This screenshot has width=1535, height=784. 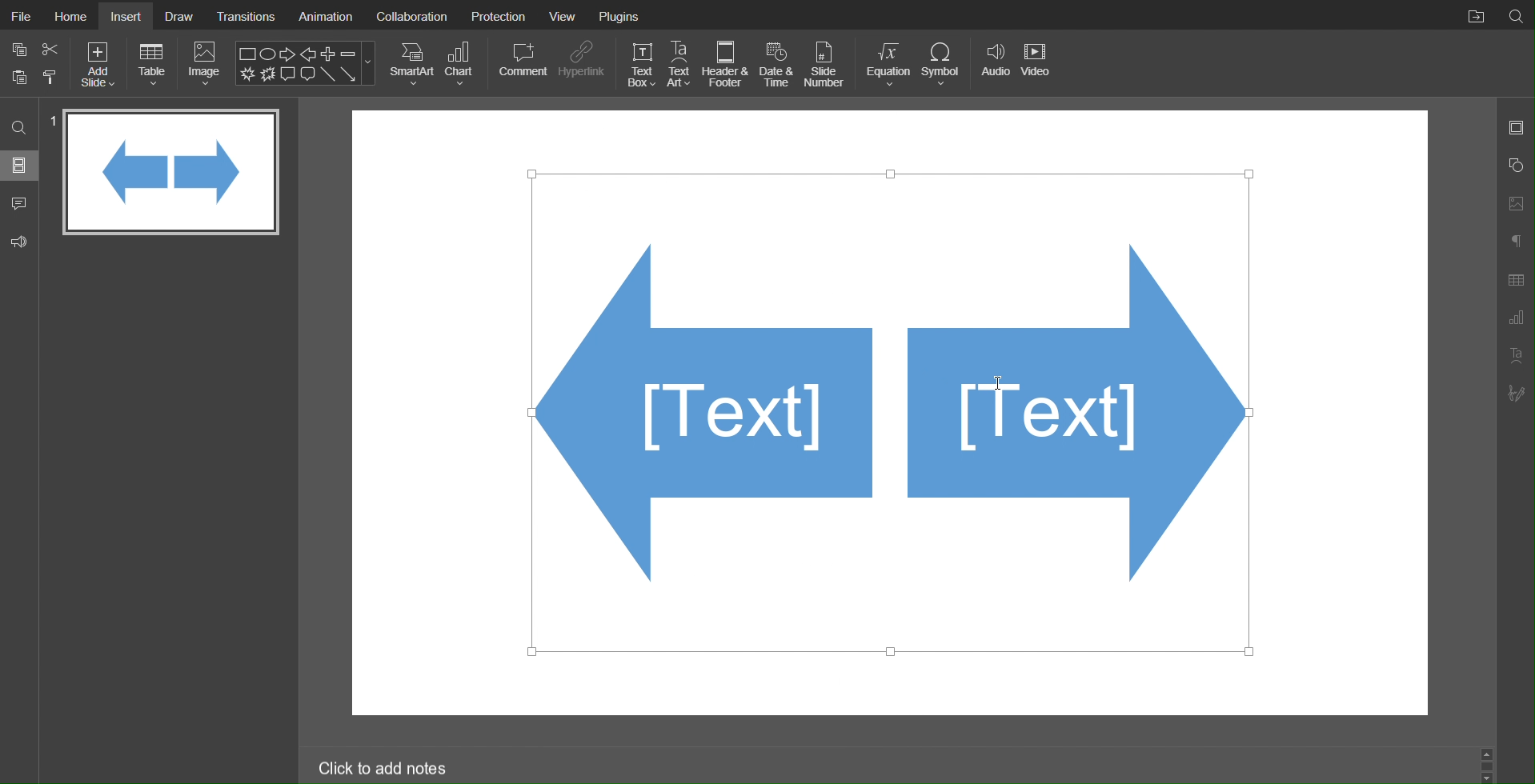 What do you see at coordinates (19, 130) in the screenshot?
I see `Search` at bounding box center [19, 130].